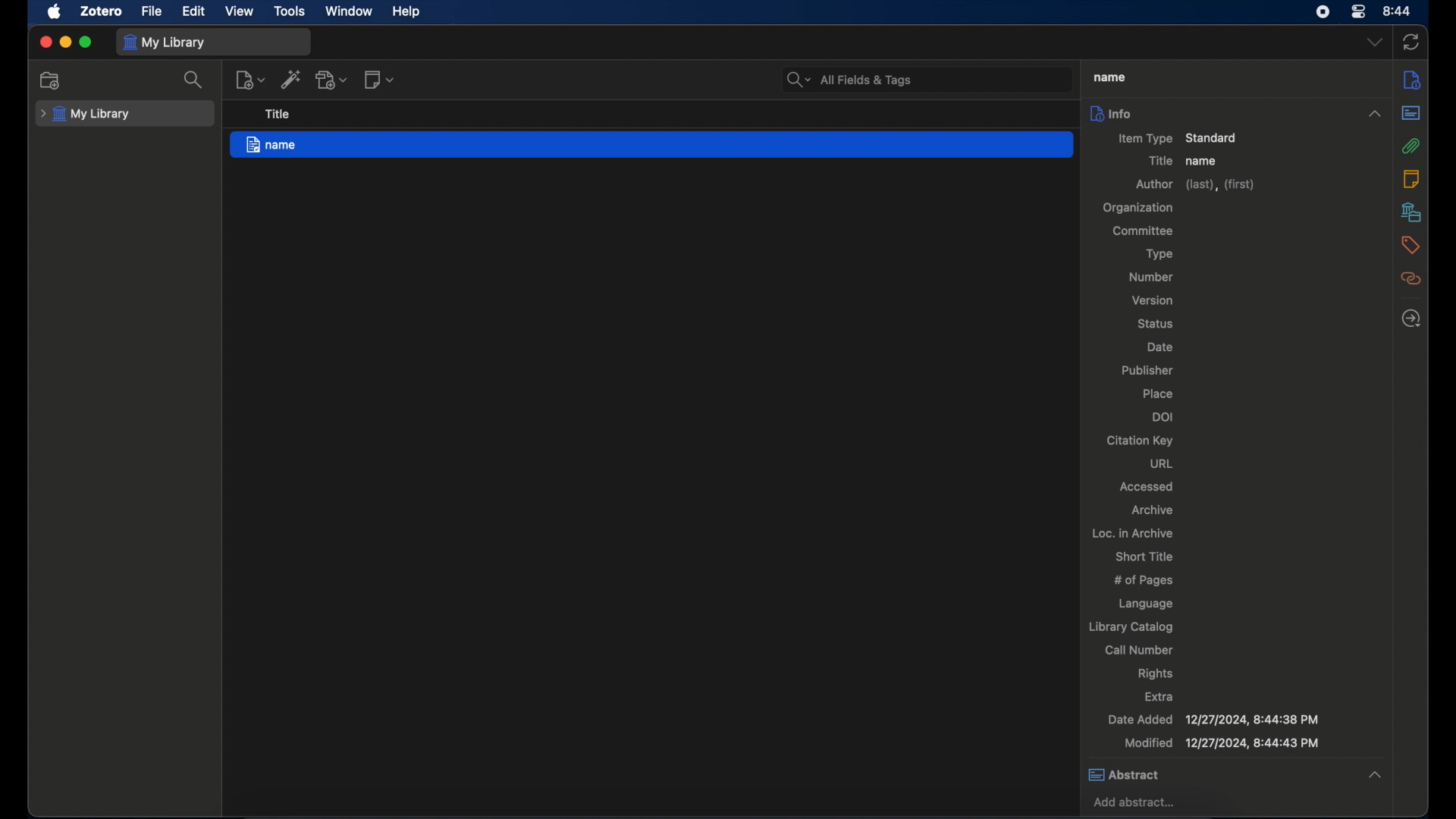  Describe the element at coordinates (1411, 146) in the screenshot. I see `attachments` at that location.